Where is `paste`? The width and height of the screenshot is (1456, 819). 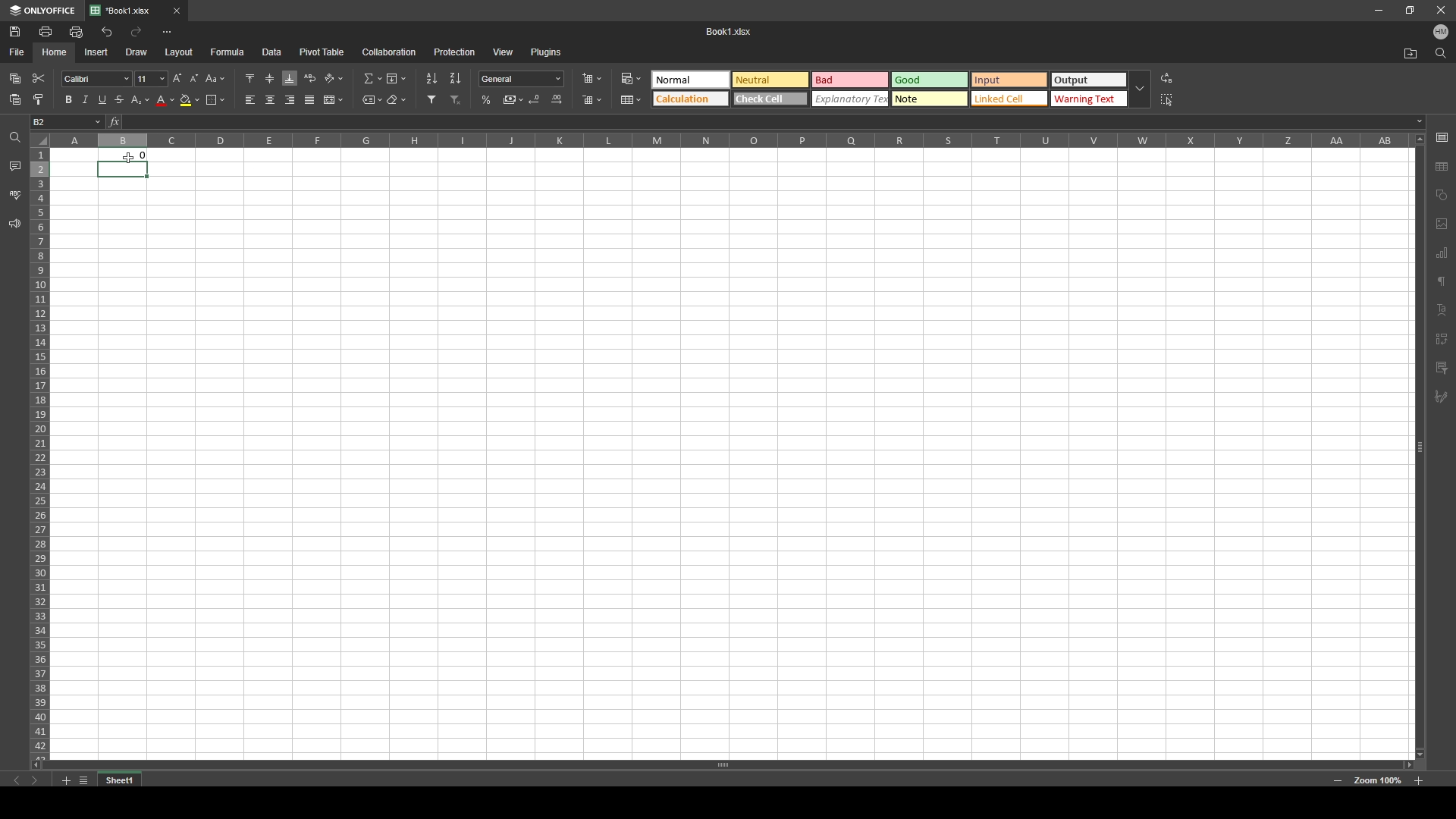
paste is located at coordinates (16, 100).